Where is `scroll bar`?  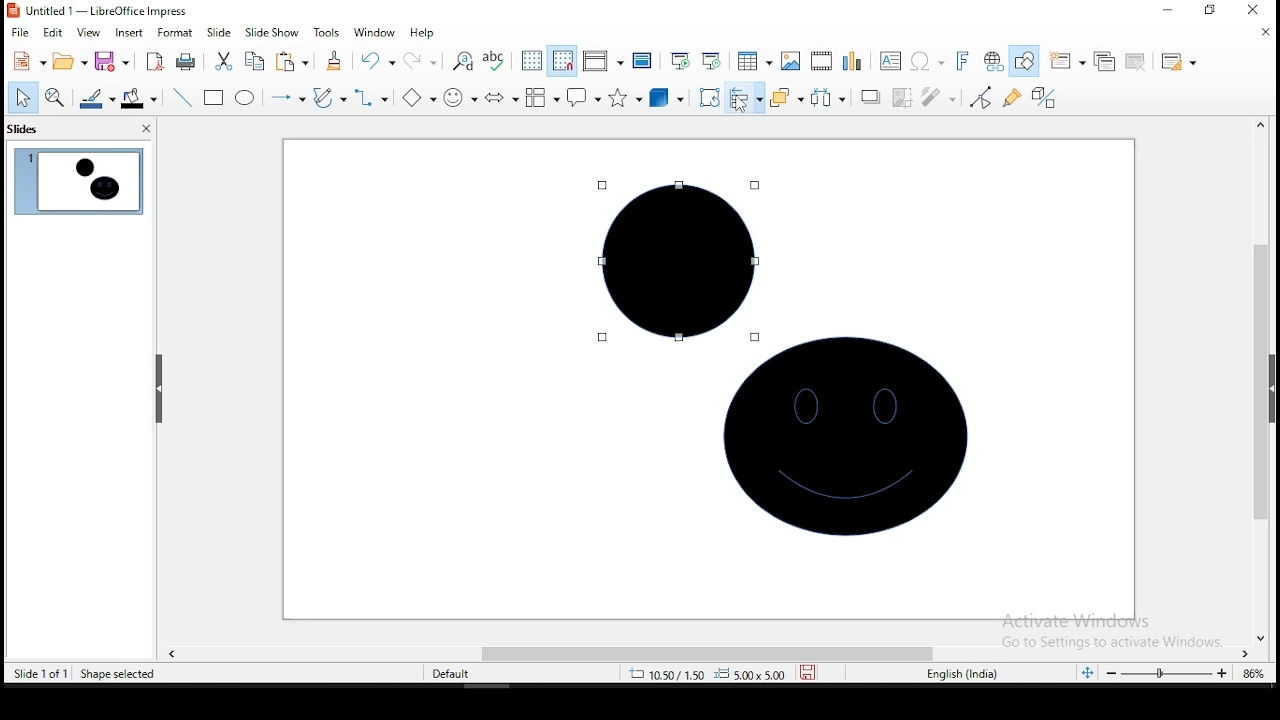
scroll bar is located at coordinates (1267, 379).